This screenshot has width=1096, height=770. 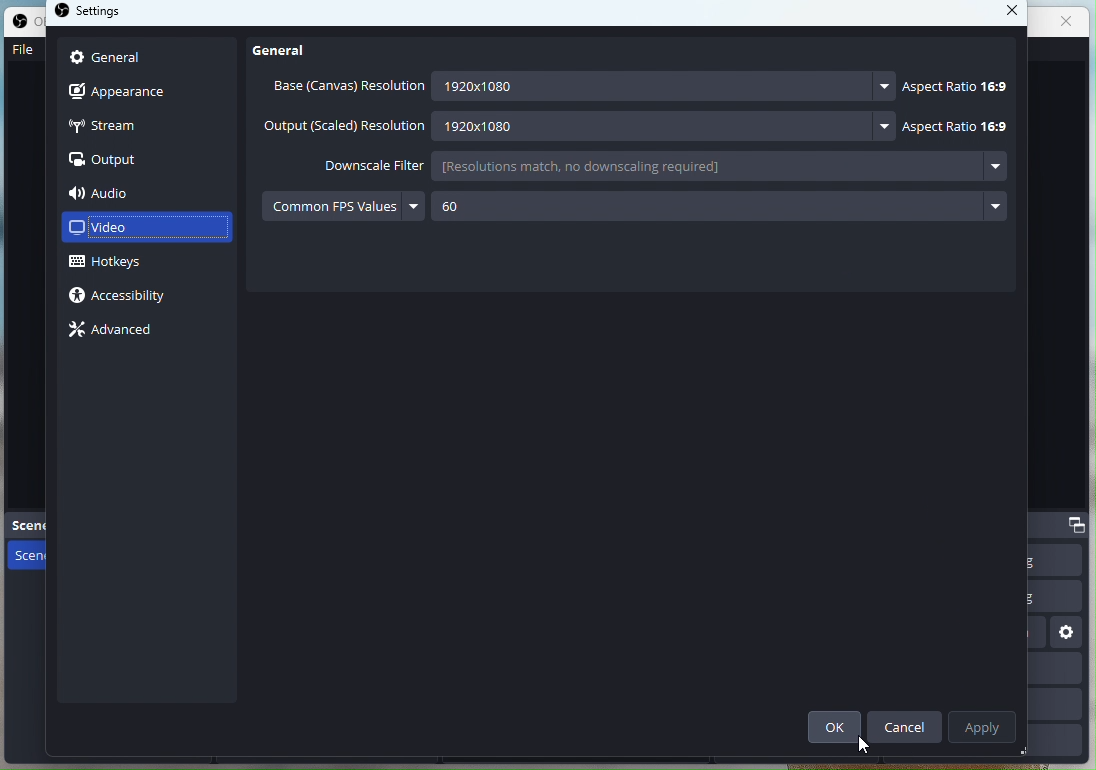 I want to click on settings, so click(x=108, y=14).